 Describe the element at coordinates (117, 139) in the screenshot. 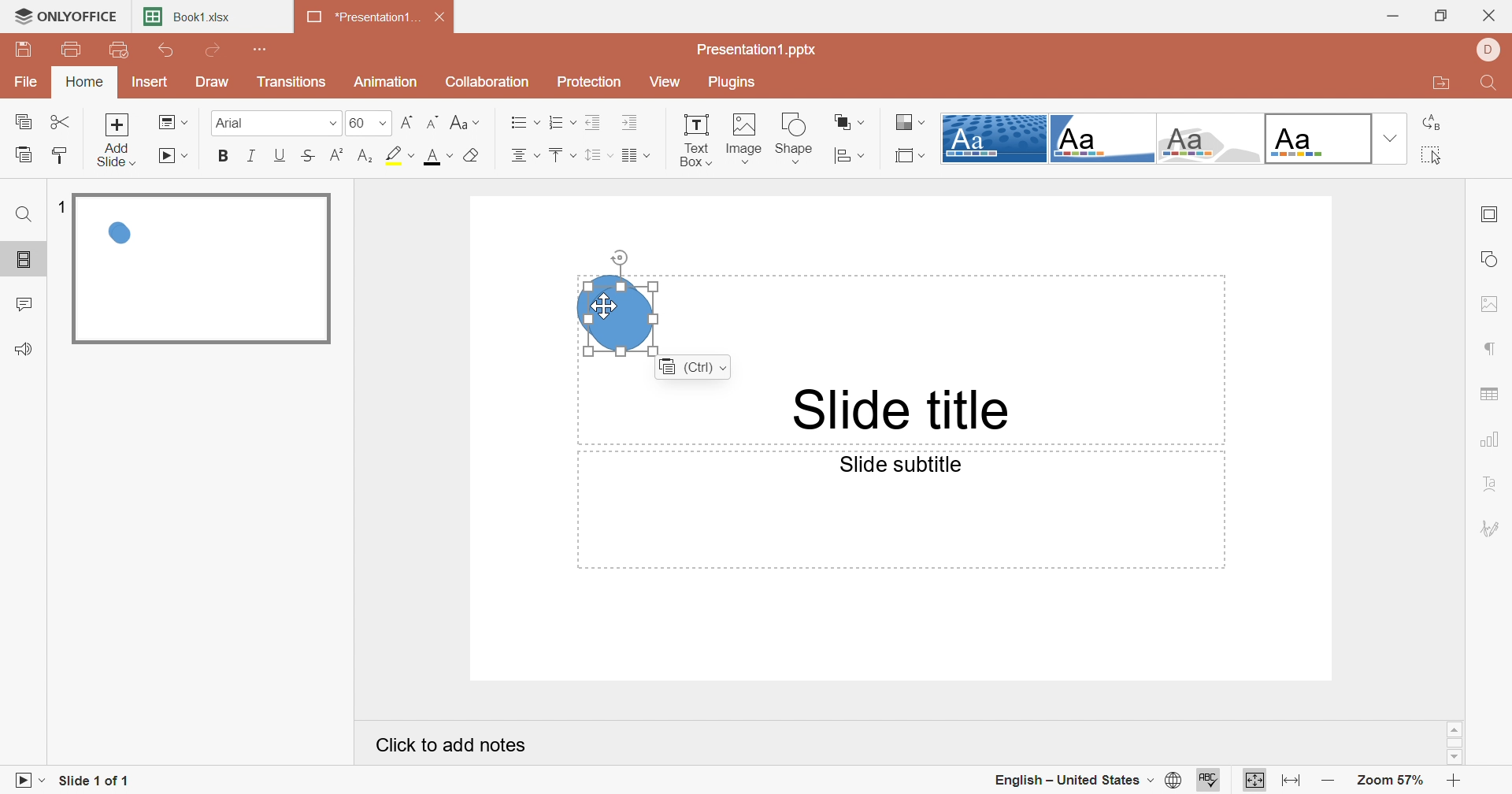

I see `Add slide` at that location.